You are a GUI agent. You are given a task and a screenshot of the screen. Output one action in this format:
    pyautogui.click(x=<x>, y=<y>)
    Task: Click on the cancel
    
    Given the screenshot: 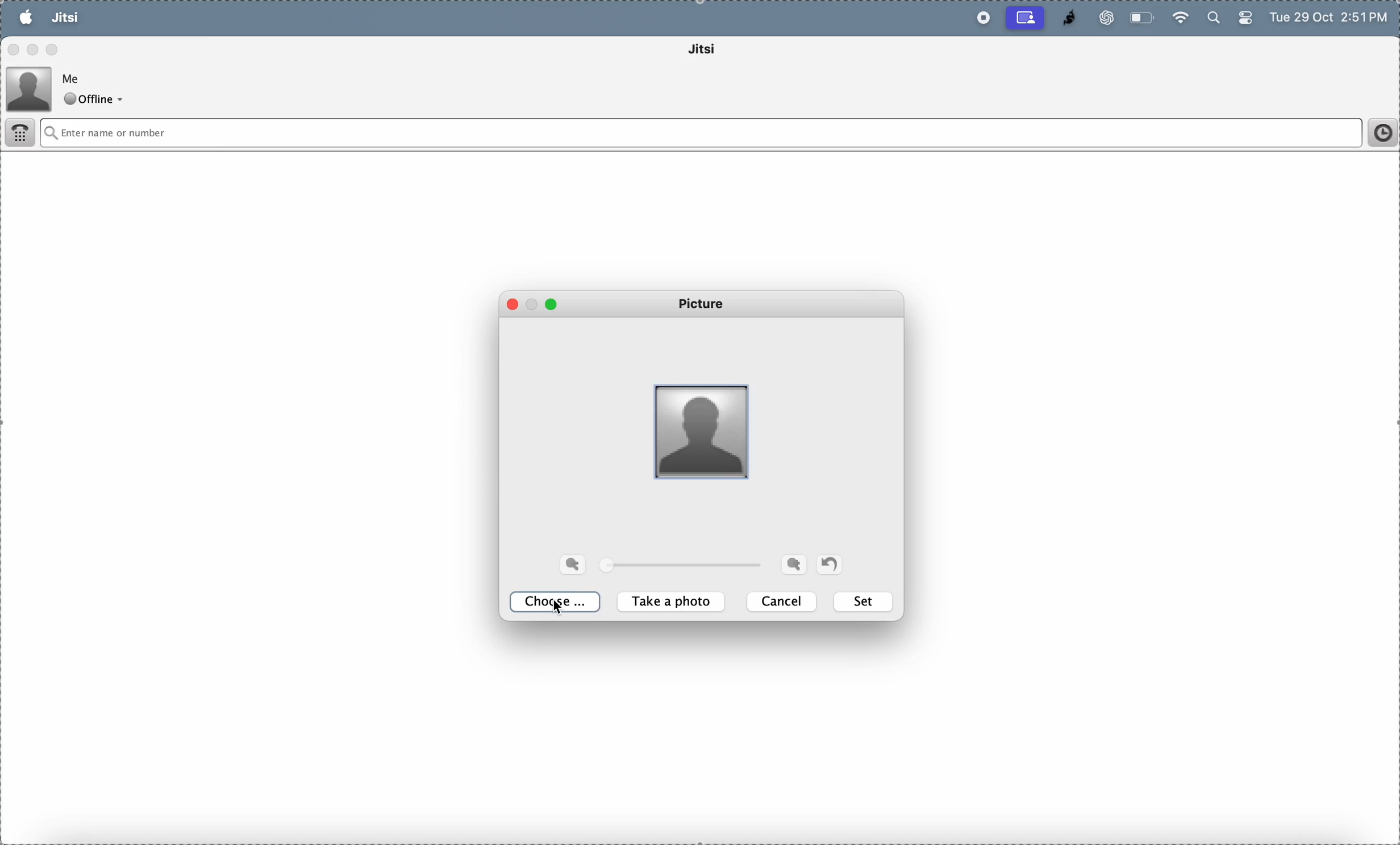 What is the action you would take?
    pyautogui.click(x=784, y=601)
    